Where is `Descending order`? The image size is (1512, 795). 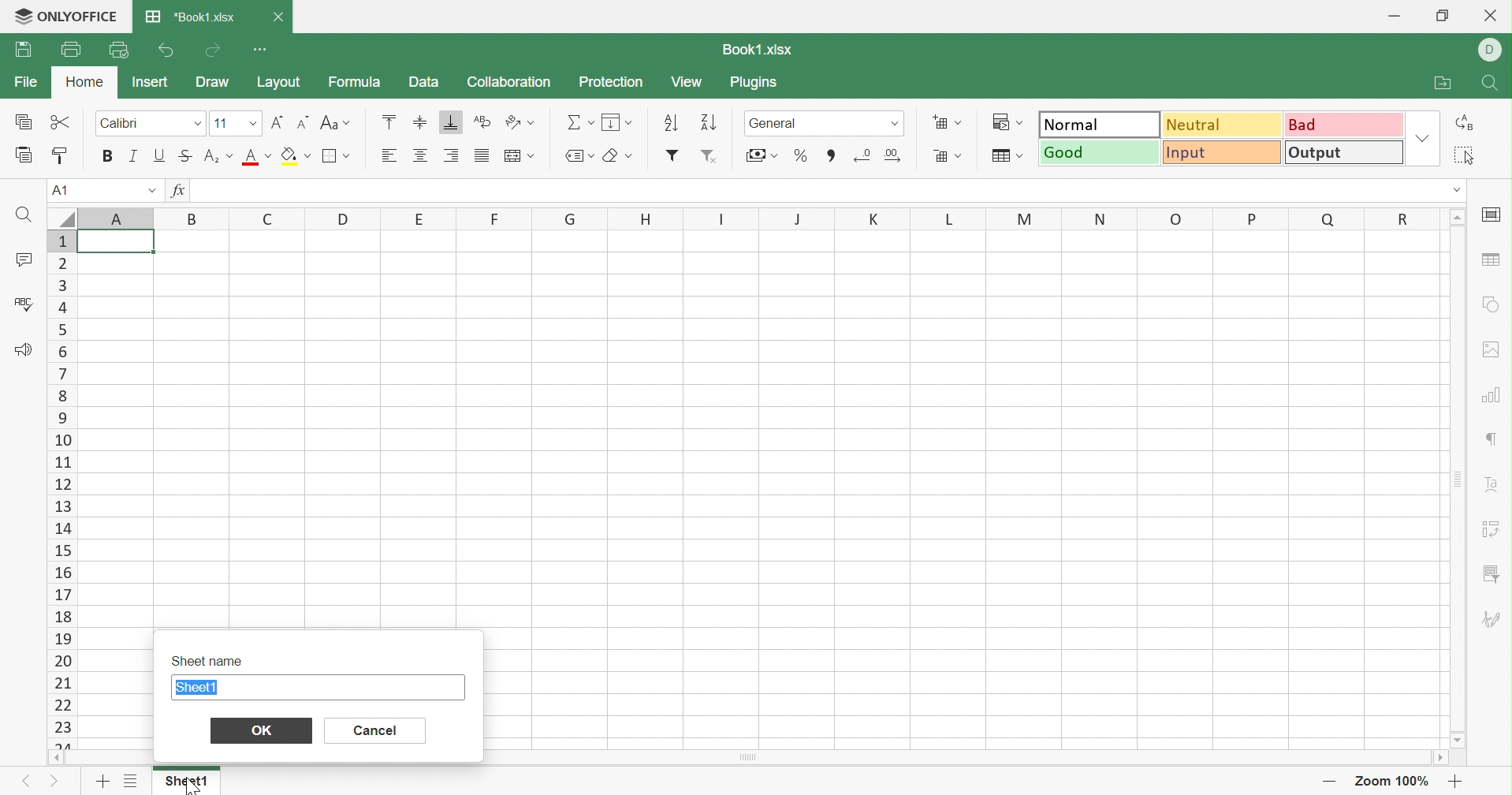 Descending order is located at coordinates (707, 121).